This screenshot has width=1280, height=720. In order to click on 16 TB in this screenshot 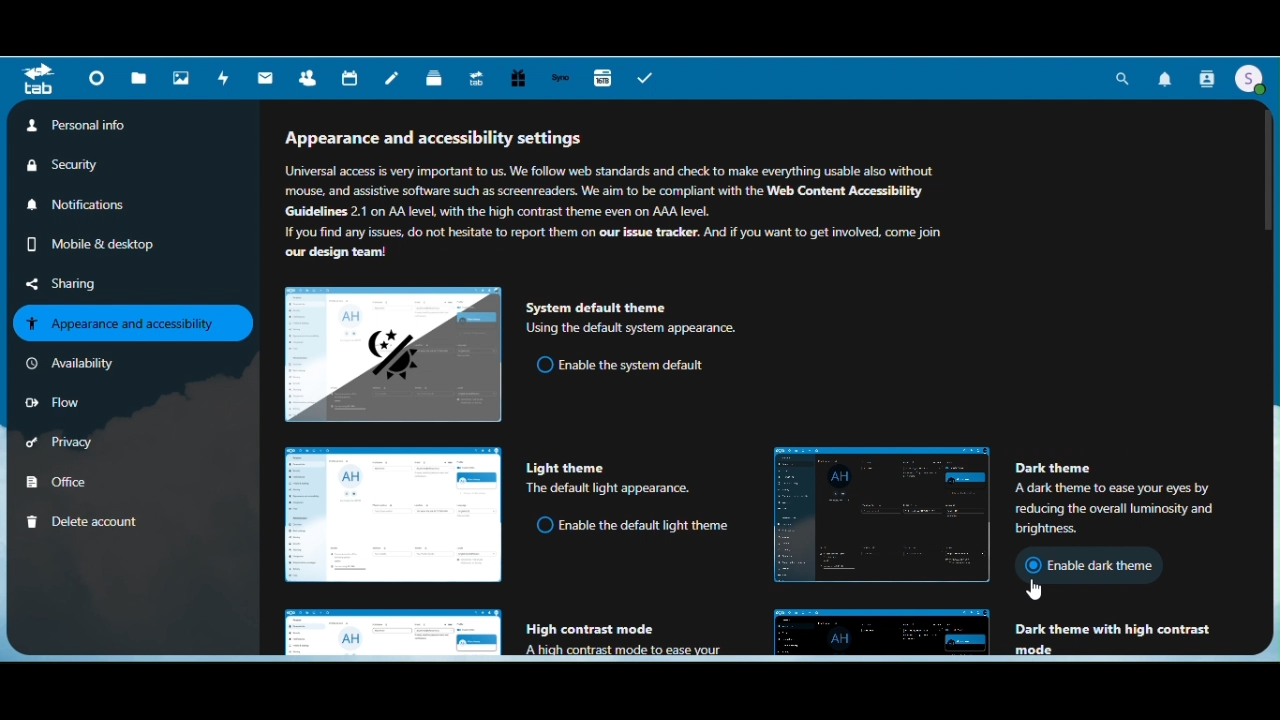, I will do `click(602, 80)`.